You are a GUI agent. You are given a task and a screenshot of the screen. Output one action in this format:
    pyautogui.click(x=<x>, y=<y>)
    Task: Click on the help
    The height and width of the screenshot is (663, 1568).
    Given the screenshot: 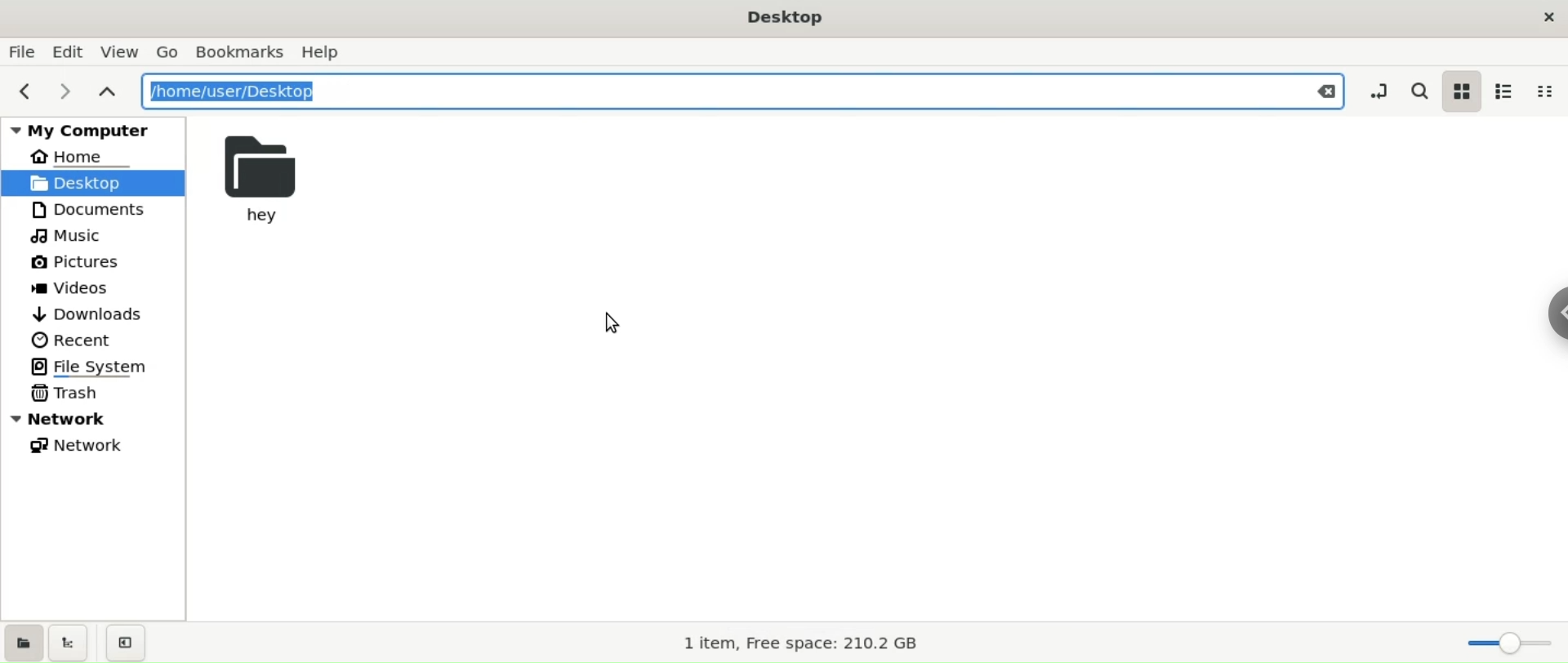 What is the action you would take?
    pyautogui.click(x=329, y=54)
    